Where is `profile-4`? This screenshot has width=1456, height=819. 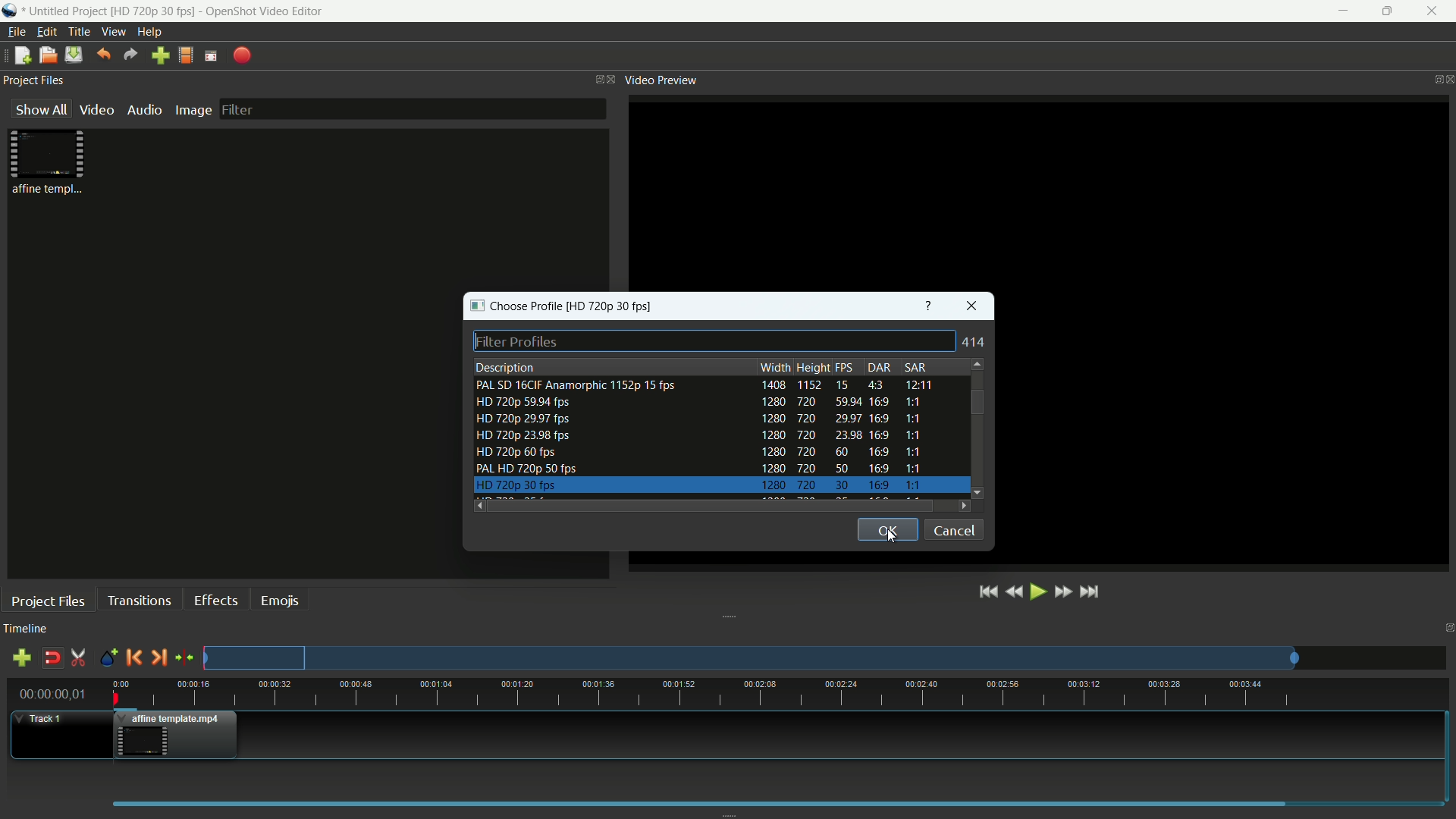 profile-4 is located at coordinates (702, 435).